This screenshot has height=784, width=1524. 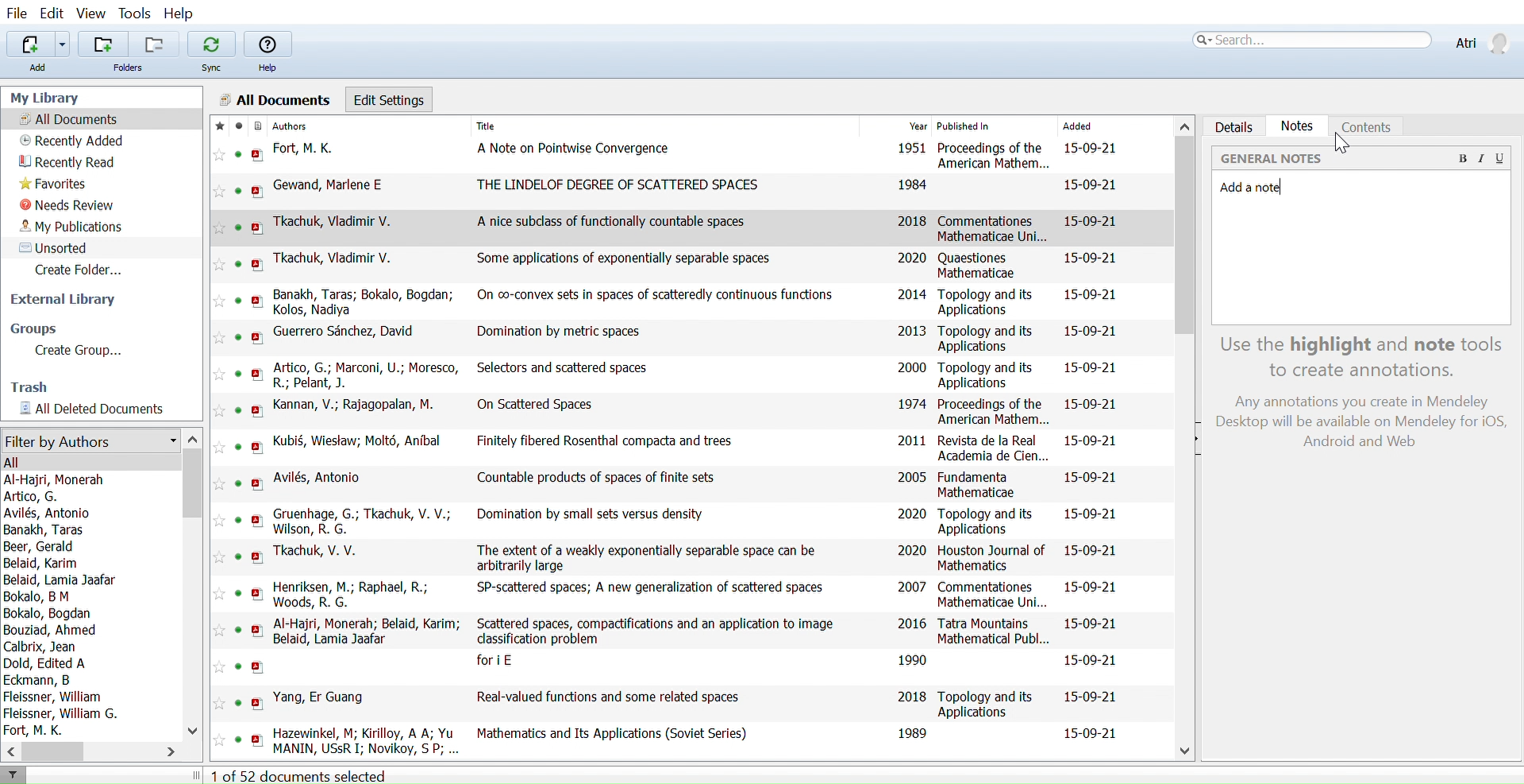 What do you see at coordinates (912, 624) in the screenshot?
I see `2016` at bounding box center [912, 624].